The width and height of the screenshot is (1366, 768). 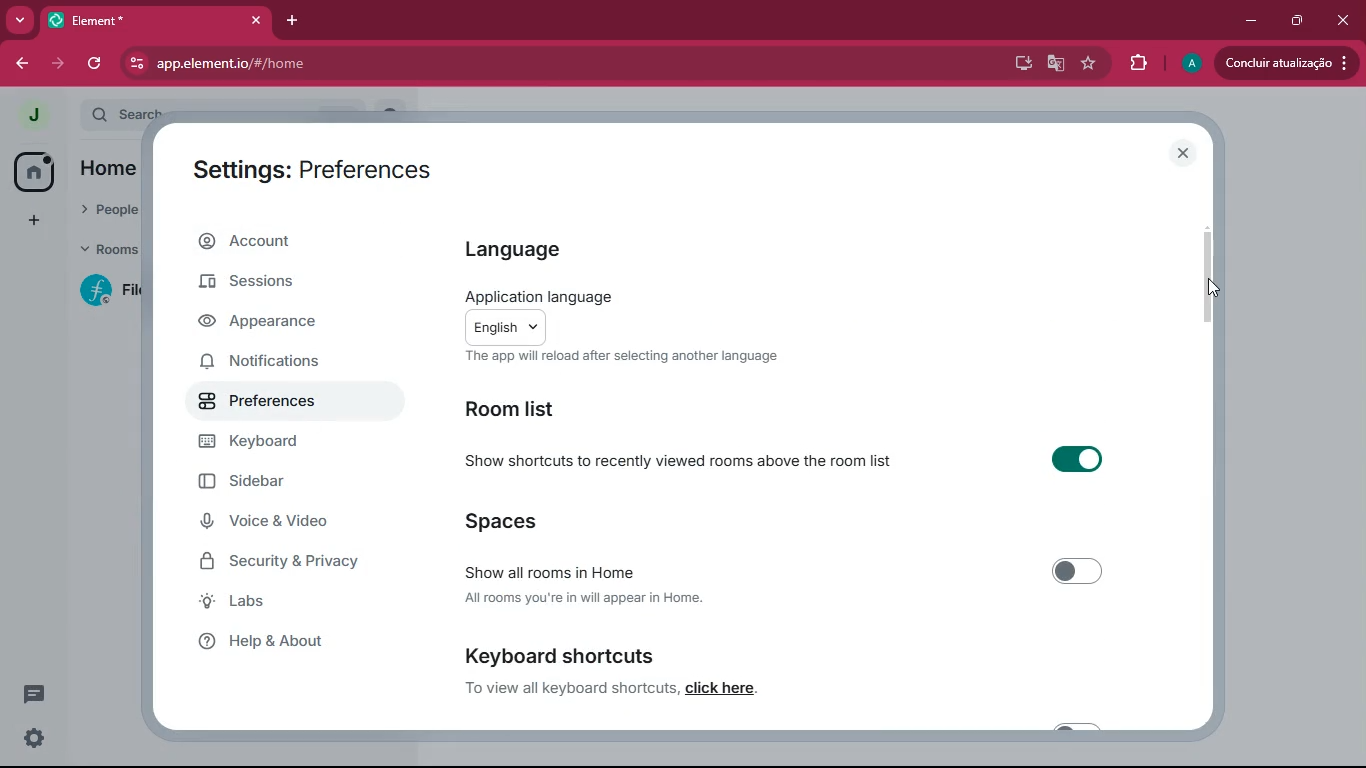 What do you see at coordinates (1208, 273) in the screenshot?
I see `scroll bar` at bounding box center [1208, 273].